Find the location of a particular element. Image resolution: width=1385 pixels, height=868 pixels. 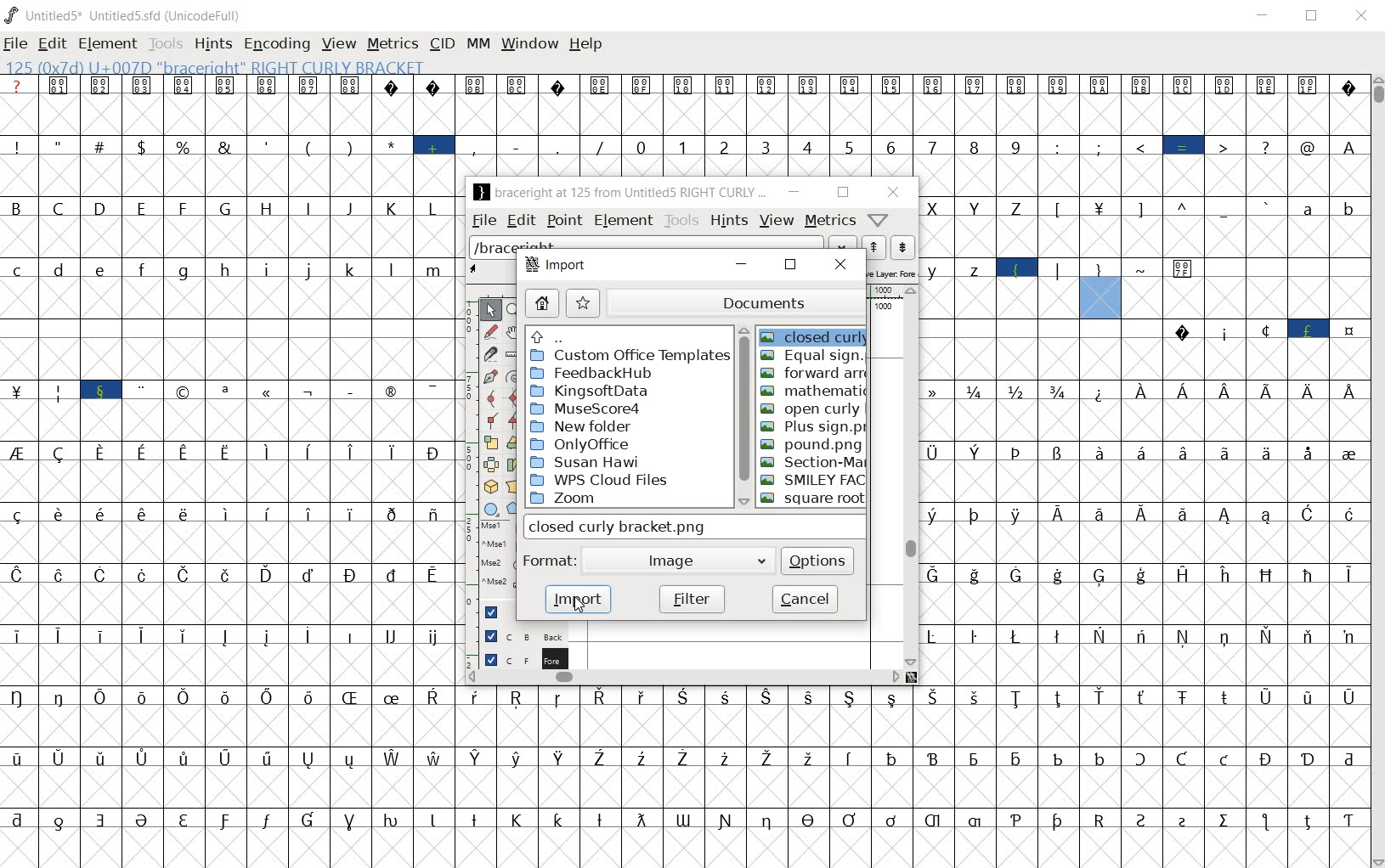

view is located at coordinates (776, 222).